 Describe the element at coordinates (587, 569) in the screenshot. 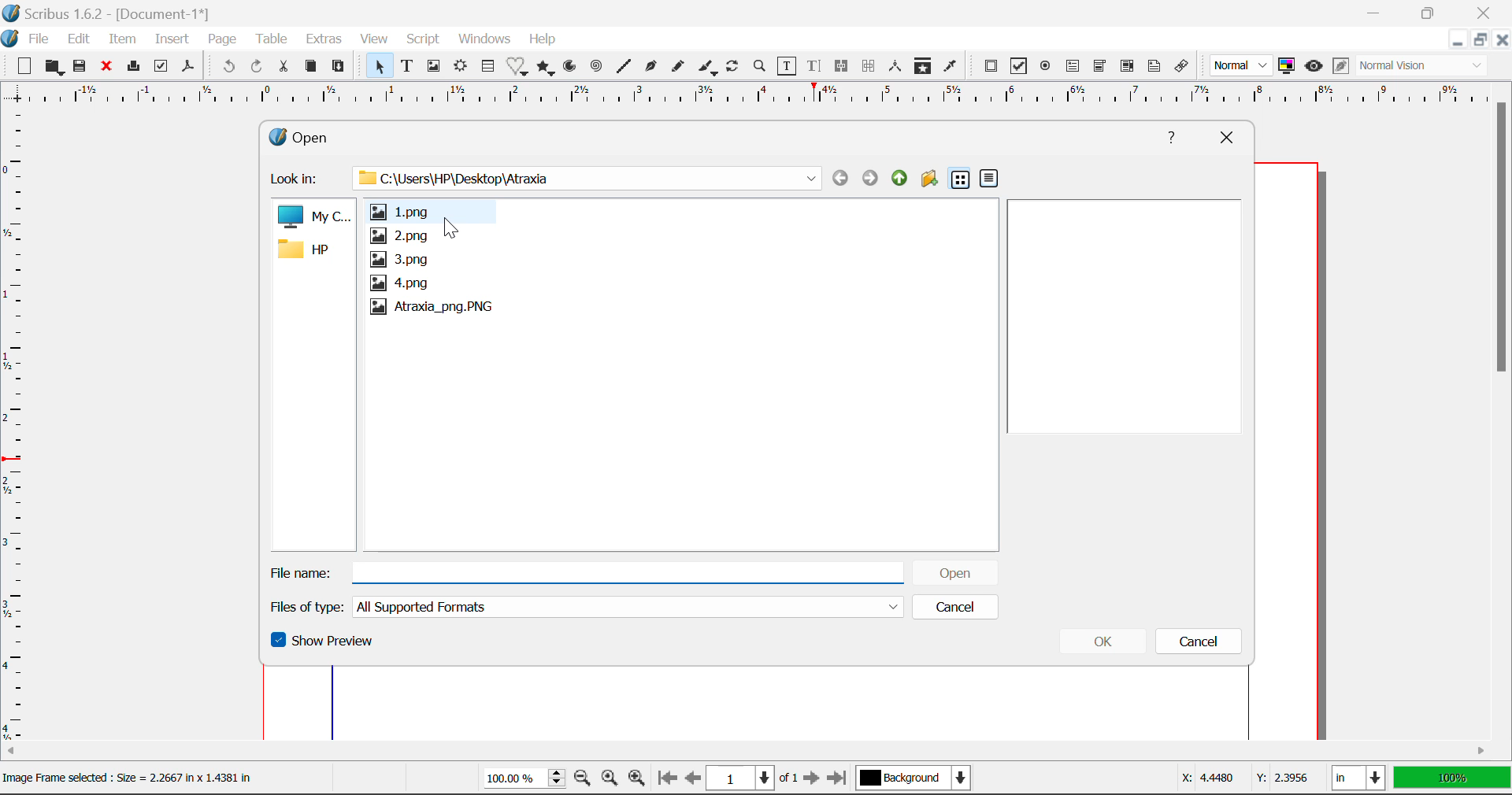

I see `File Name` at that location.